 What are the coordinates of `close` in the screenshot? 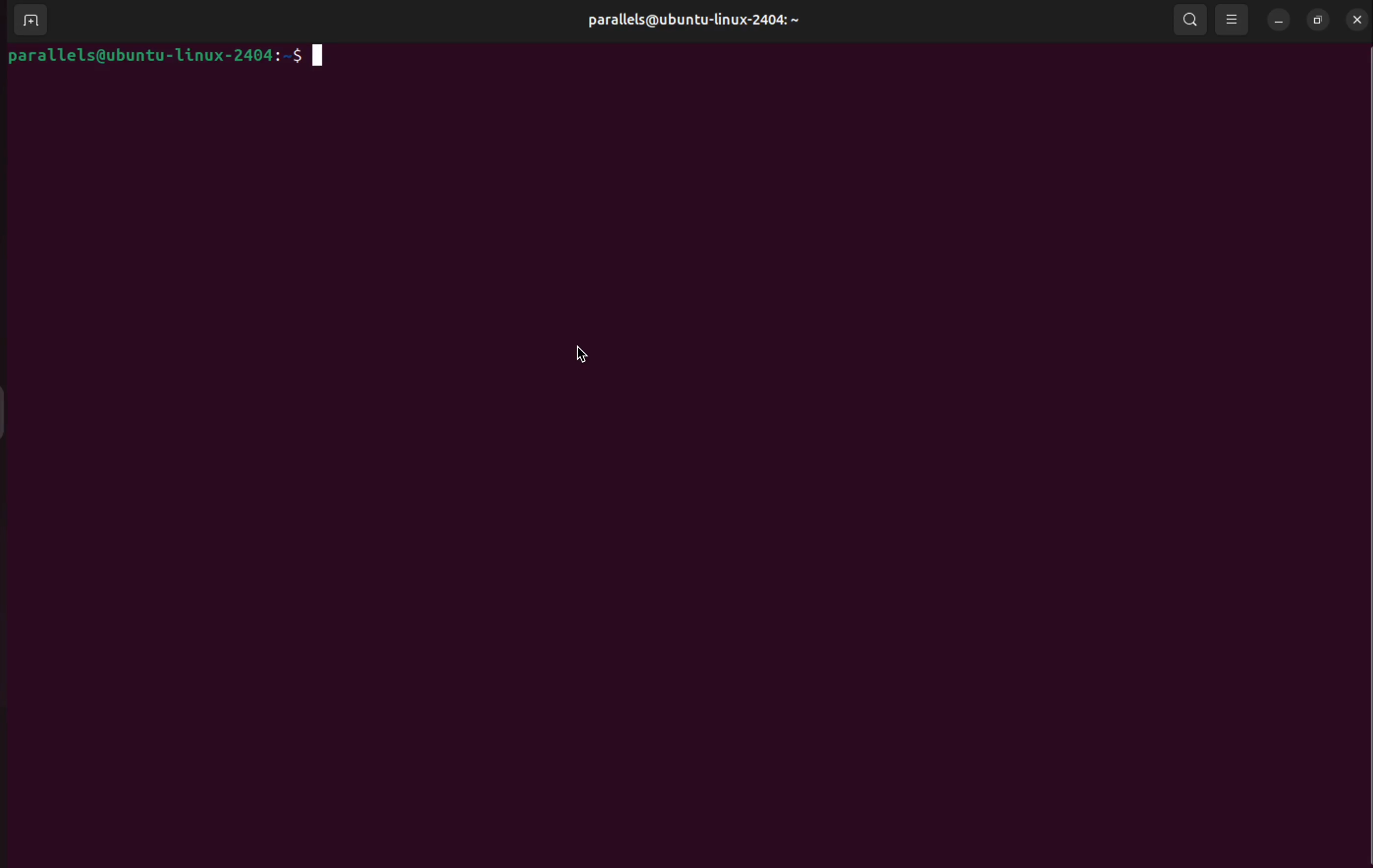 It's located at (1354, 20).